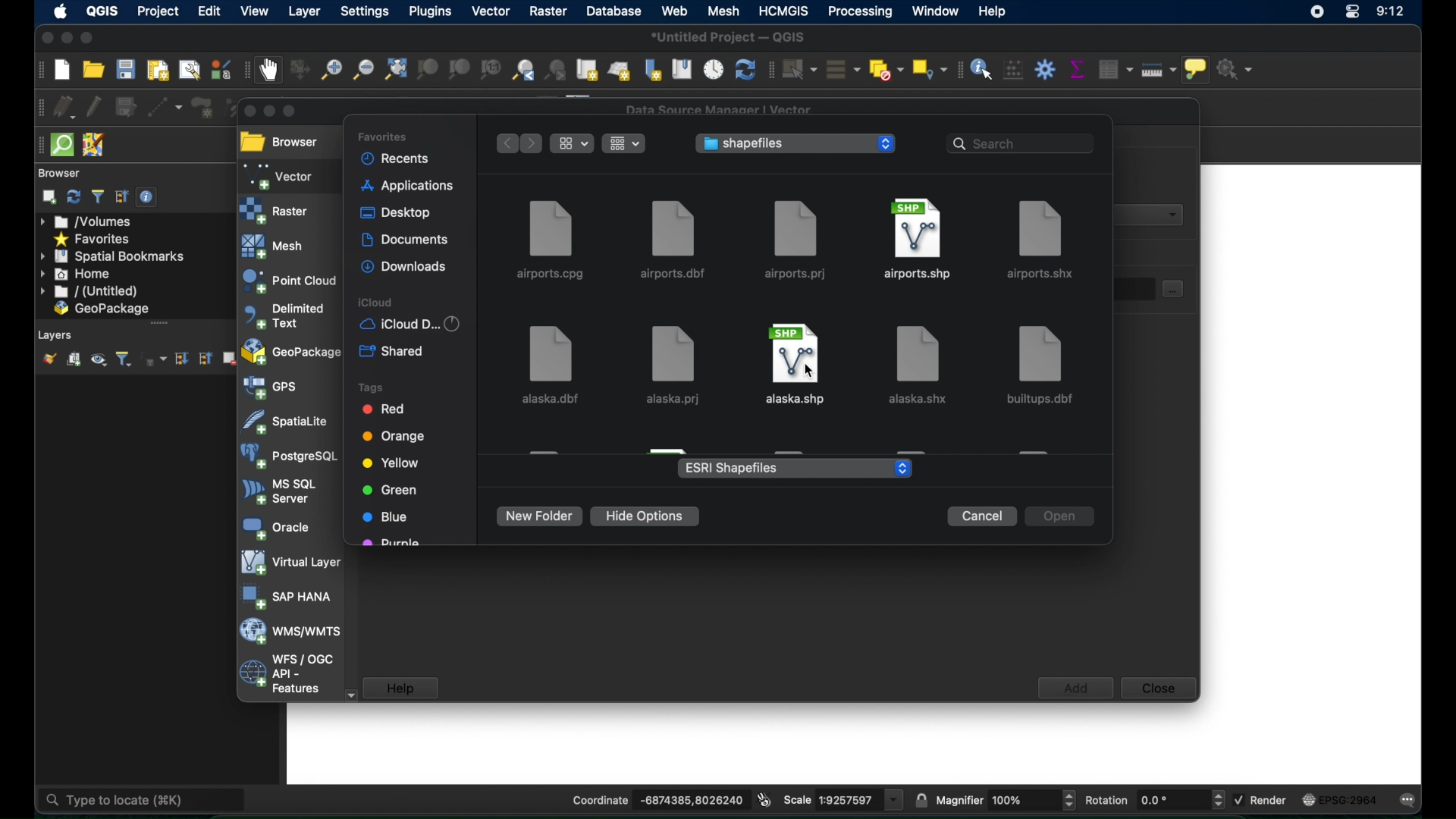  Describe the element at coordinates (275, 246) in the screenshot. I see `mesh` at that location.